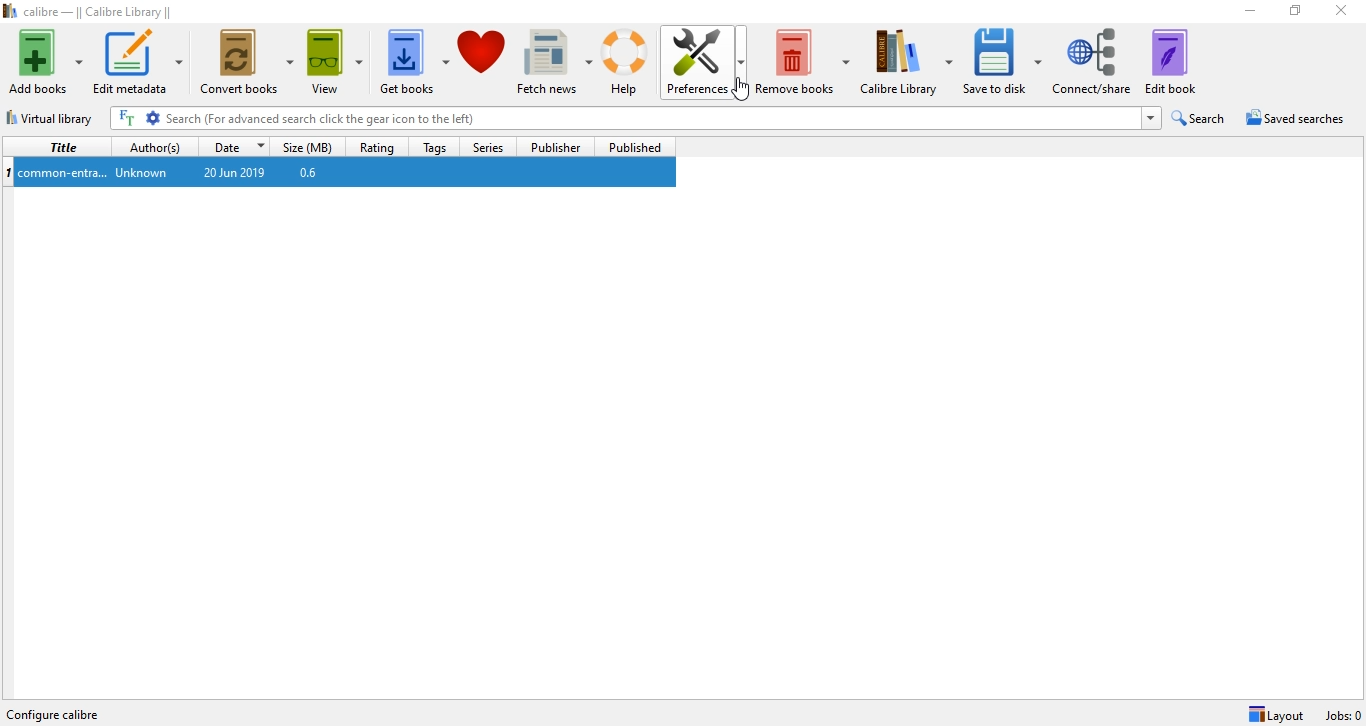  Describe the element at coordinates (558, 147) in the screenshot. I see `Publisher` at that location.